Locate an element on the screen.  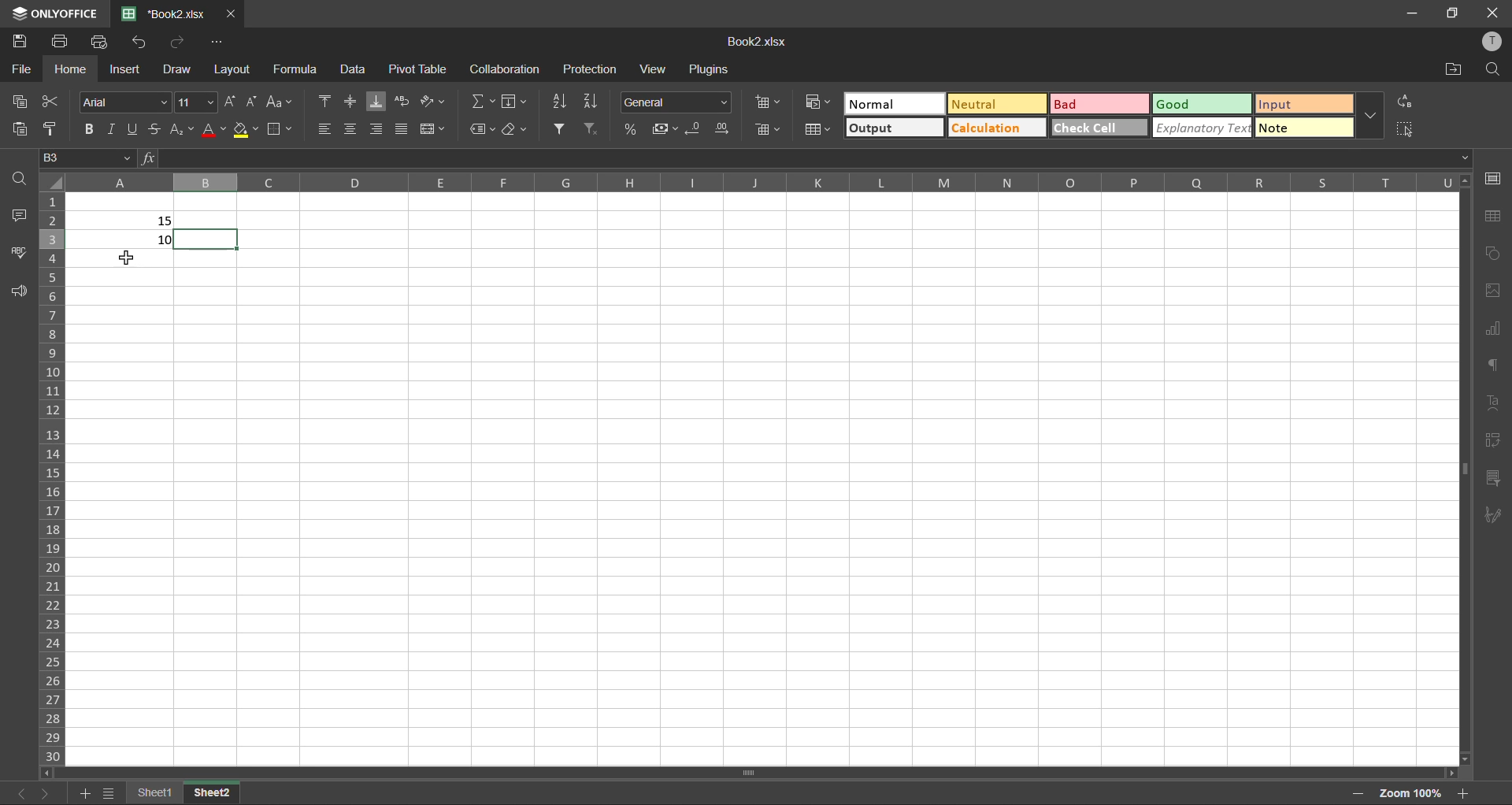
profile is located at coordinates (1495, 46).